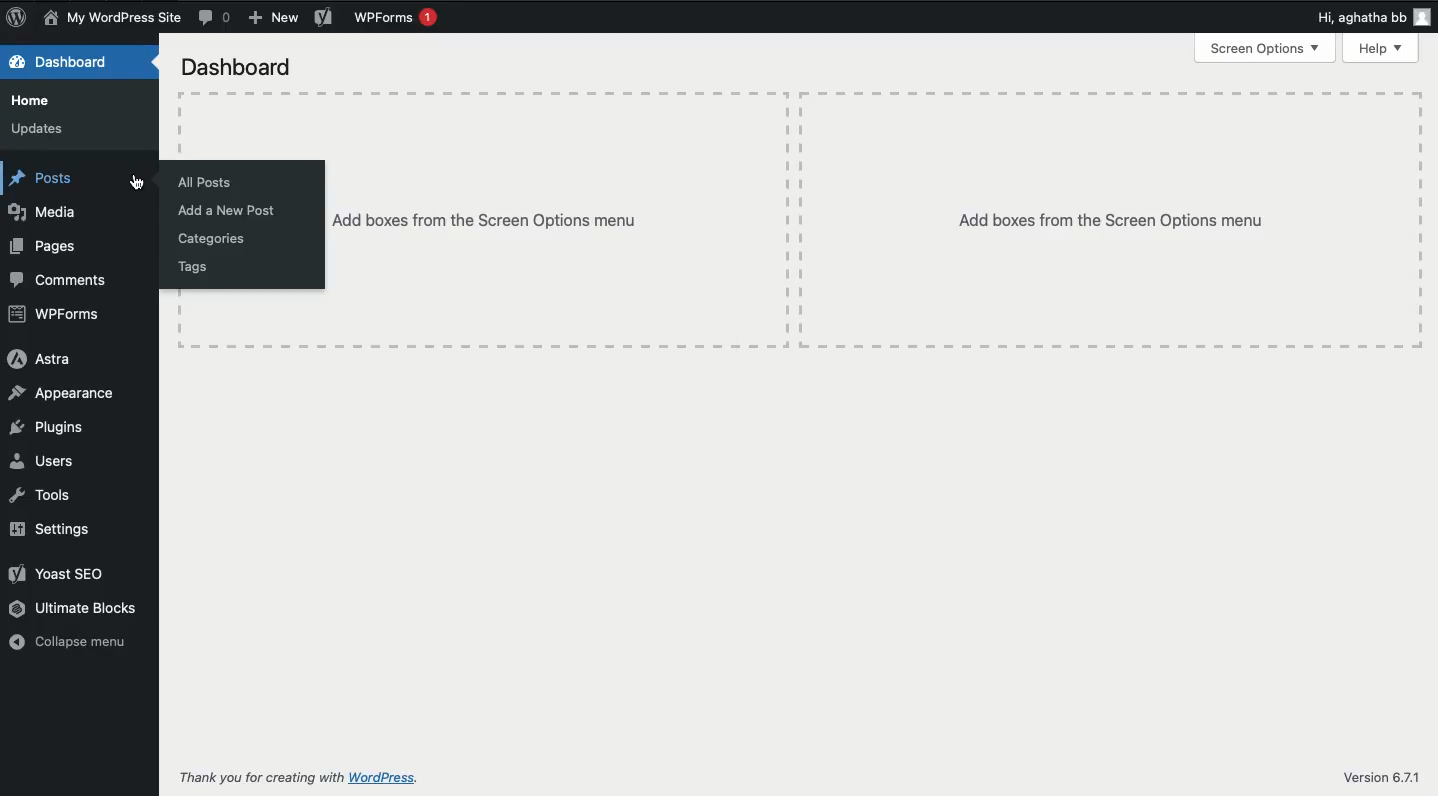 The width and height of the screenshot is (1438, 796). What do you see at coordinates (1109, 220) in the screenshot?
I see `Add boxes from the screen options menu` at bounding box center [1109, 220].